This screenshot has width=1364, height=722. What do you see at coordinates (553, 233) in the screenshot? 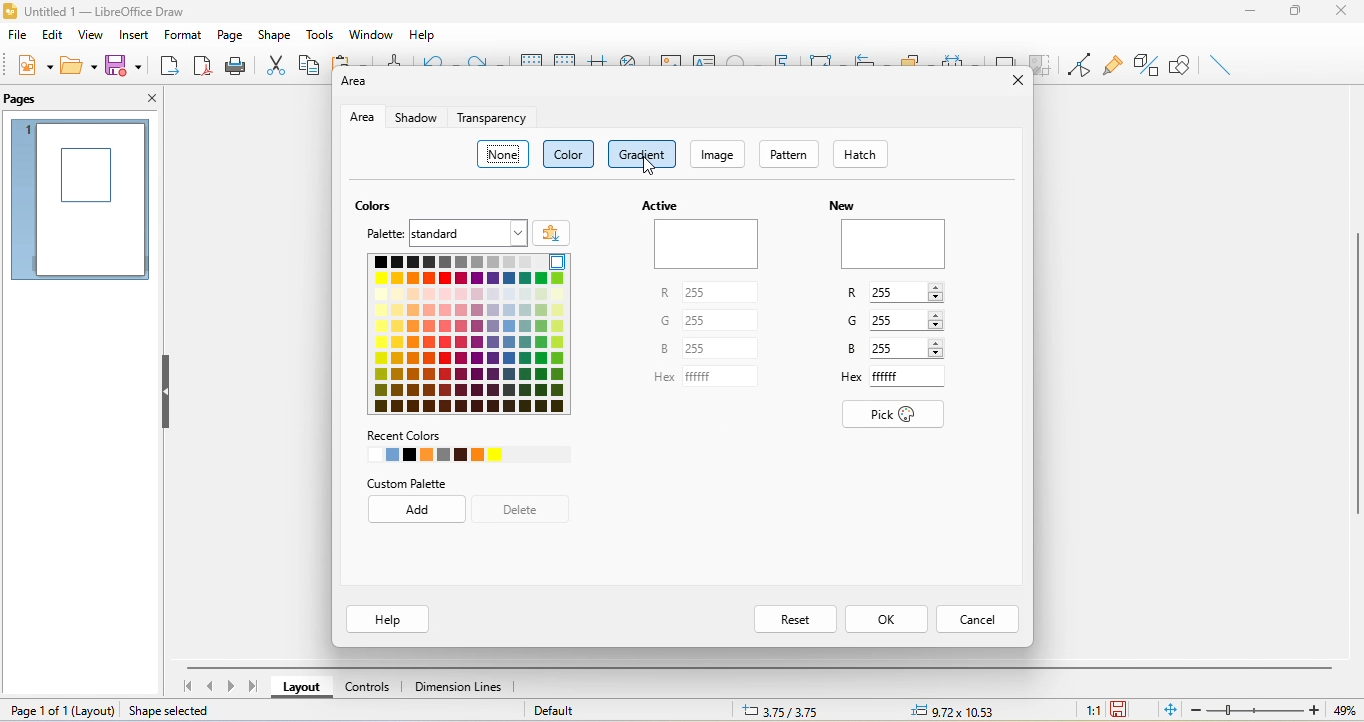
I see `add color palette` at bounding box center [553, 233].